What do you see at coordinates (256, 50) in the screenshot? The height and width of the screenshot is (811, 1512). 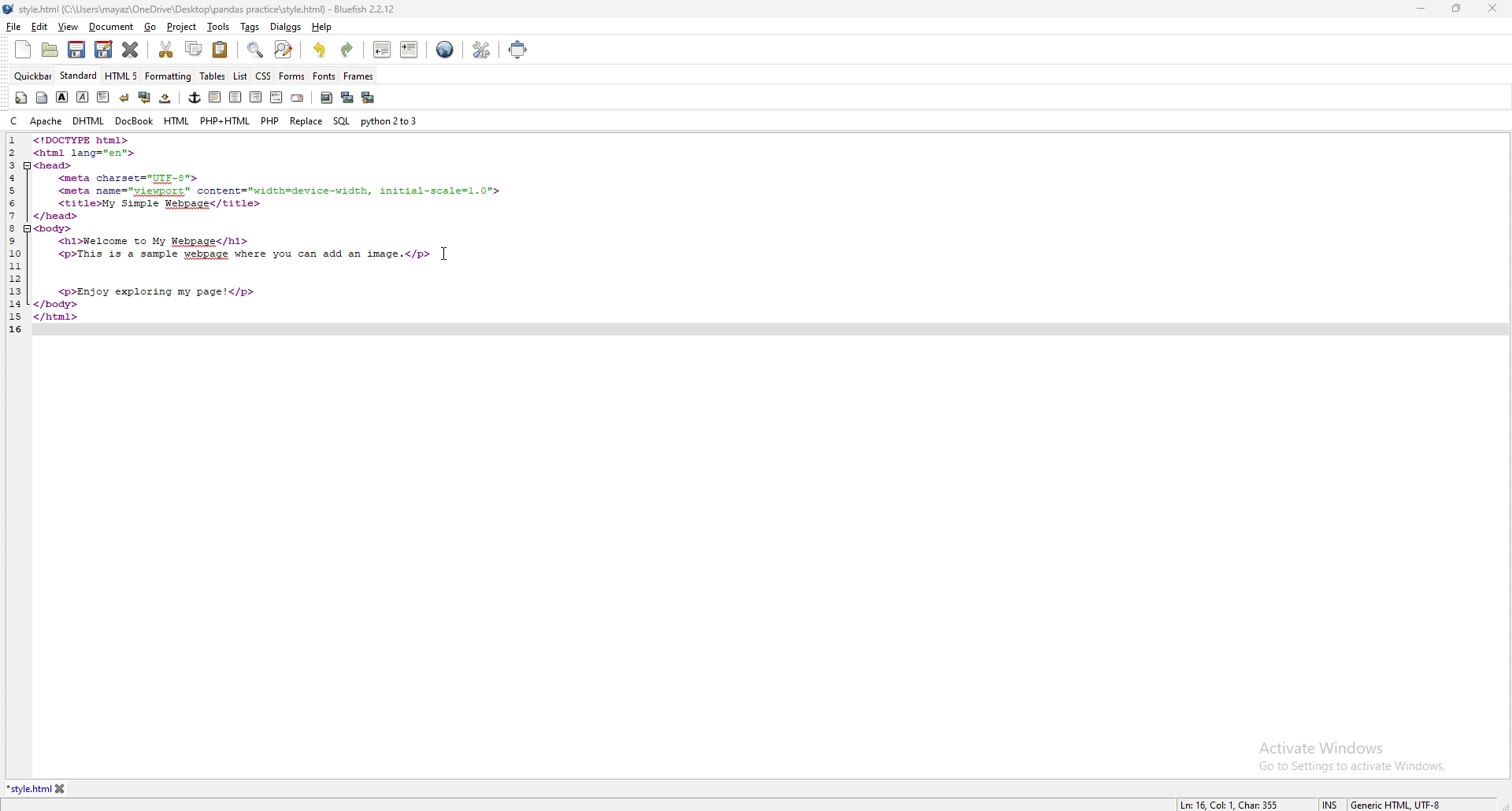 I see `find bar` at bounding box center [256, 50].